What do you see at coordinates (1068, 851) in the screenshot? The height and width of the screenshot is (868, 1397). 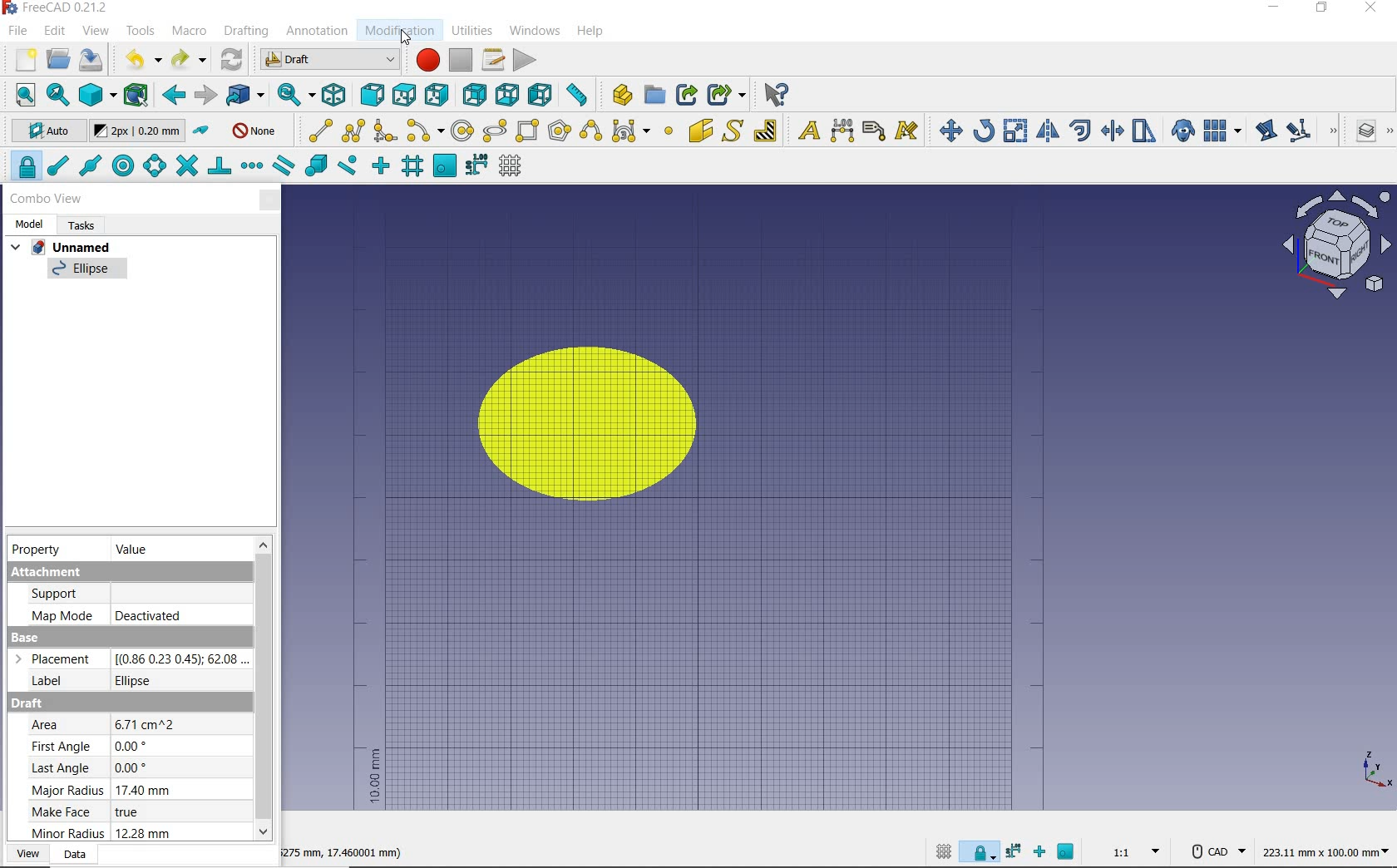 I see `snap working plane` at bounding box center [1068, 851].